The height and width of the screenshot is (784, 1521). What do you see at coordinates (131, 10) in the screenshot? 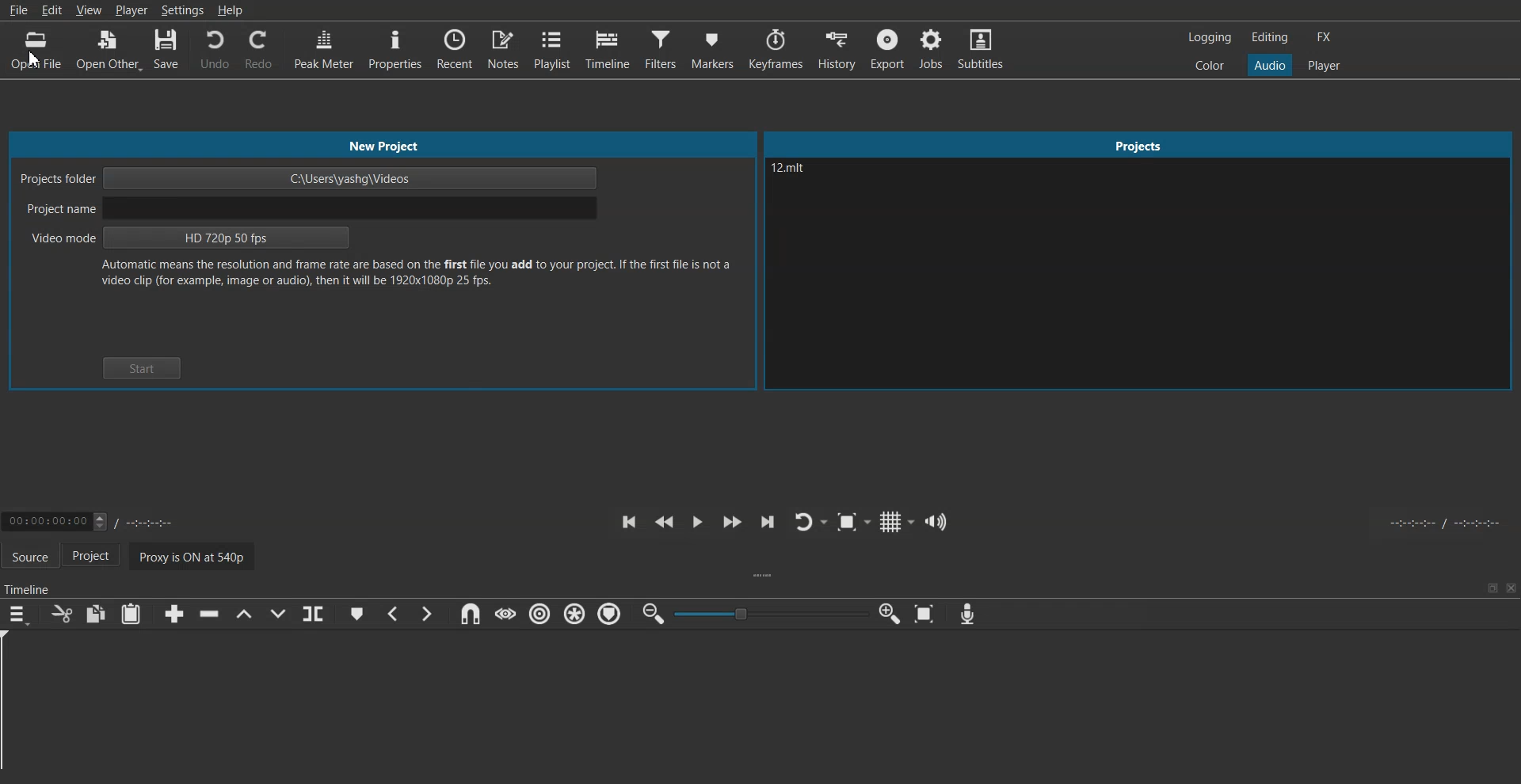
I see `Player` at bounding box center [131, 10].